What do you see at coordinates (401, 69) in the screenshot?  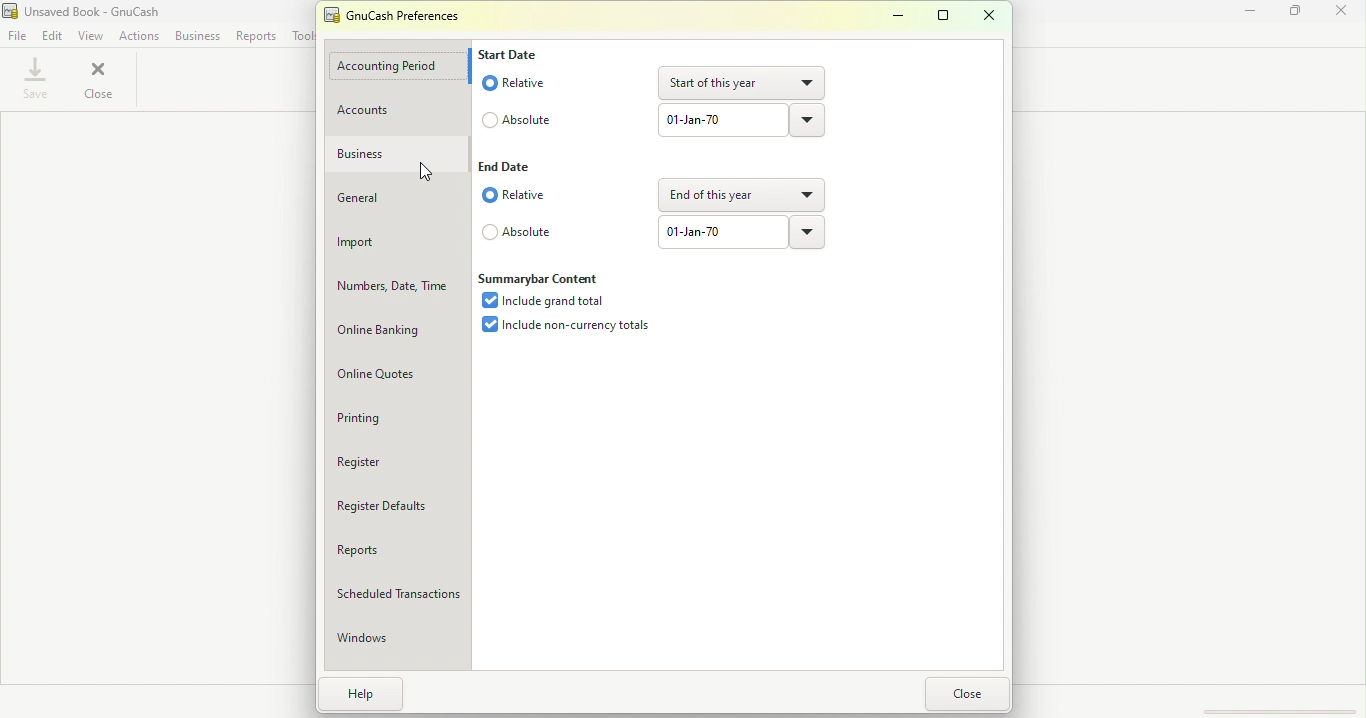 I see `Accounting period` at bounding box center [401, 69].